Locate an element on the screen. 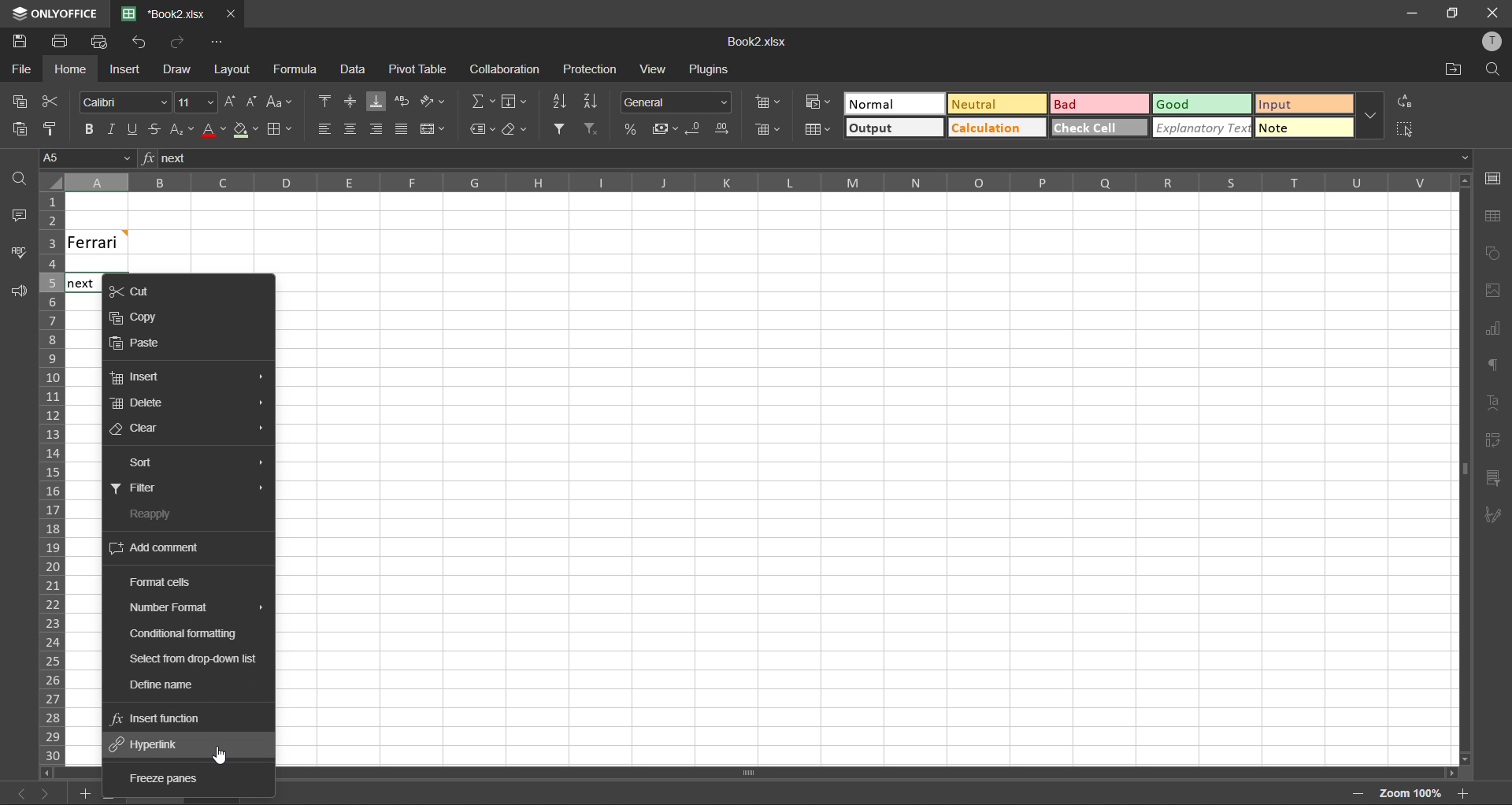  redo is located at coordinates (180, 42).